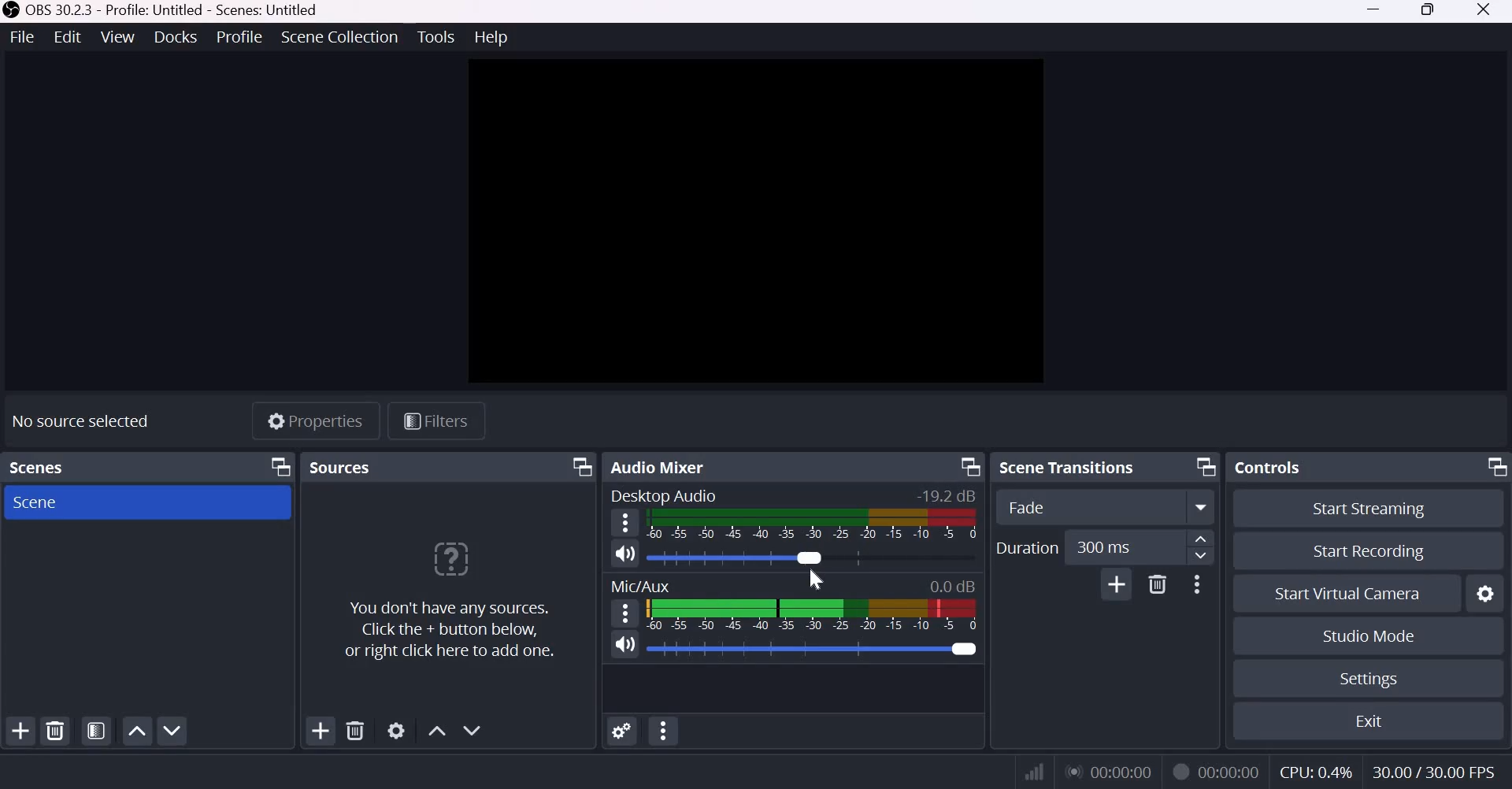 Image resolution: width=1512 pixels, height=789 pixels. Describe the element at coordinates (621, 732) in the screenshot. I see `Advanced Audio Properties` at that location.